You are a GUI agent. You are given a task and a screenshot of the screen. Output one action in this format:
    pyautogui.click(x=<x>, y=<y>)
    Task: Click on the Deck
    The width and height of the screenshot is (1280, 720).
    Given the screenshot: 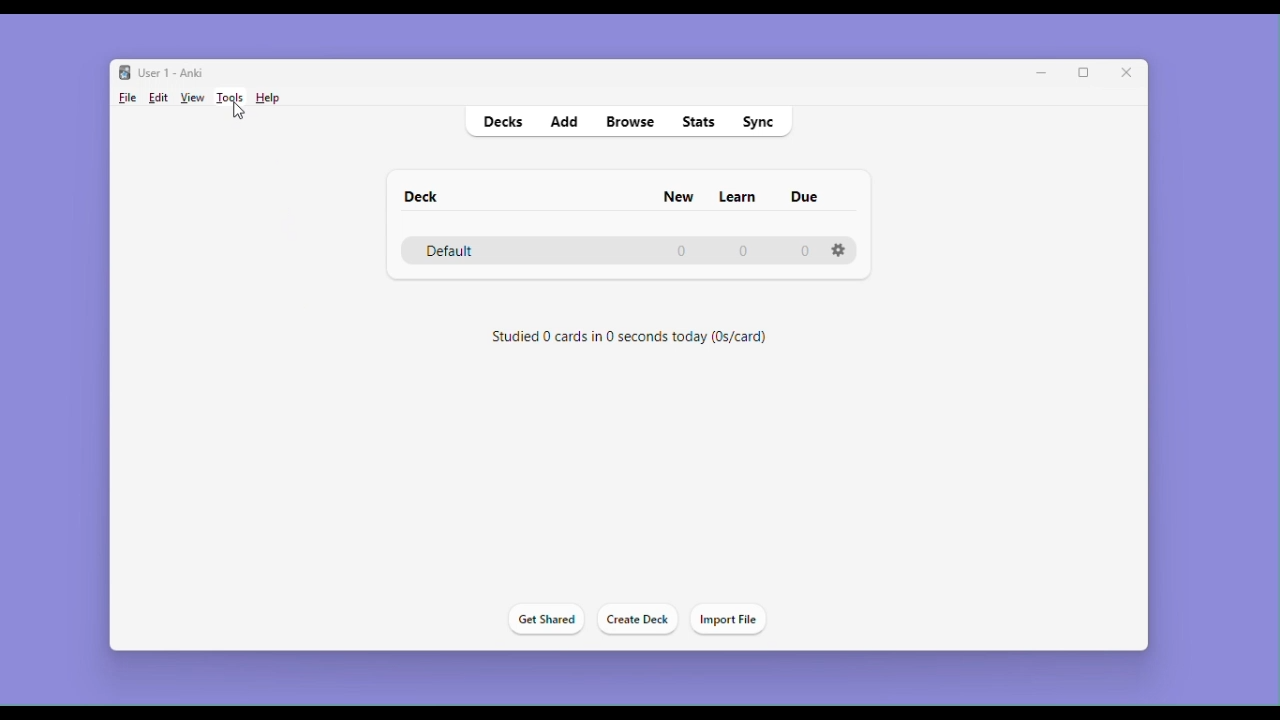 What is the action you would take?
    pyautogui.click(x=424, y=194)
    